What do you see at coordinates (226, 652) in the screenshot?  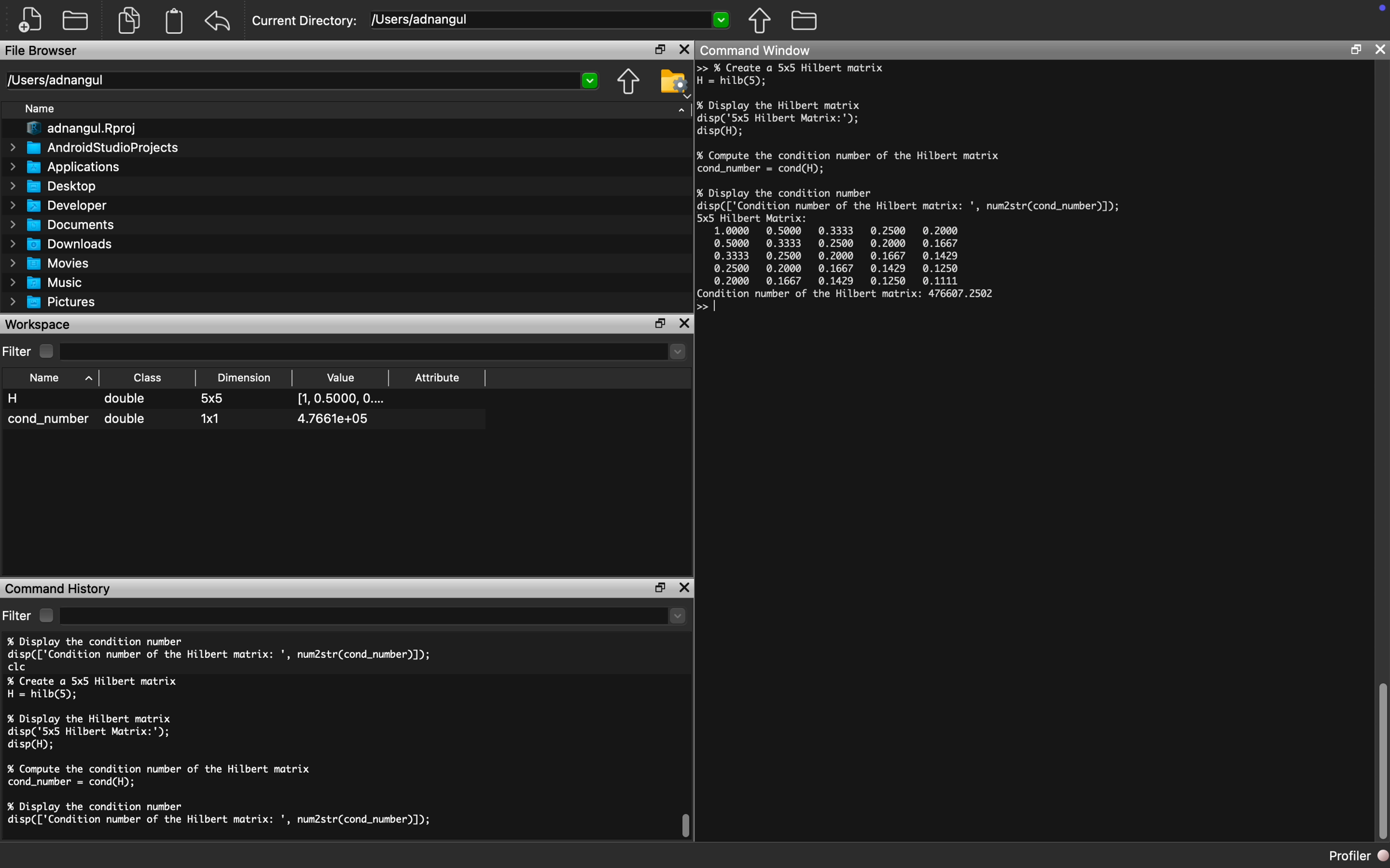 I see `% Display the condition number
disp(['Condition number of the Hilbert matrix: ', num2str(cond_number)]);` at bounding box center [226, 652].